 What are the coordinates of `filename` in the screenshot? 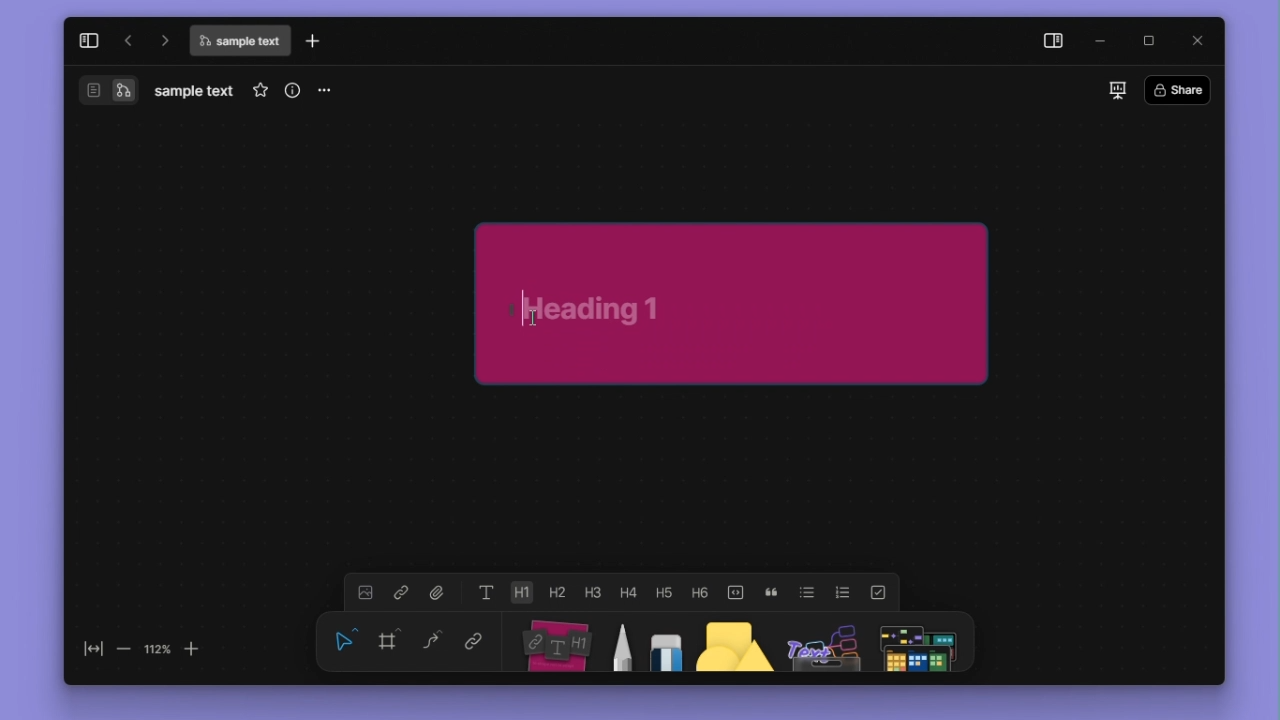 It's located at (194, 92).